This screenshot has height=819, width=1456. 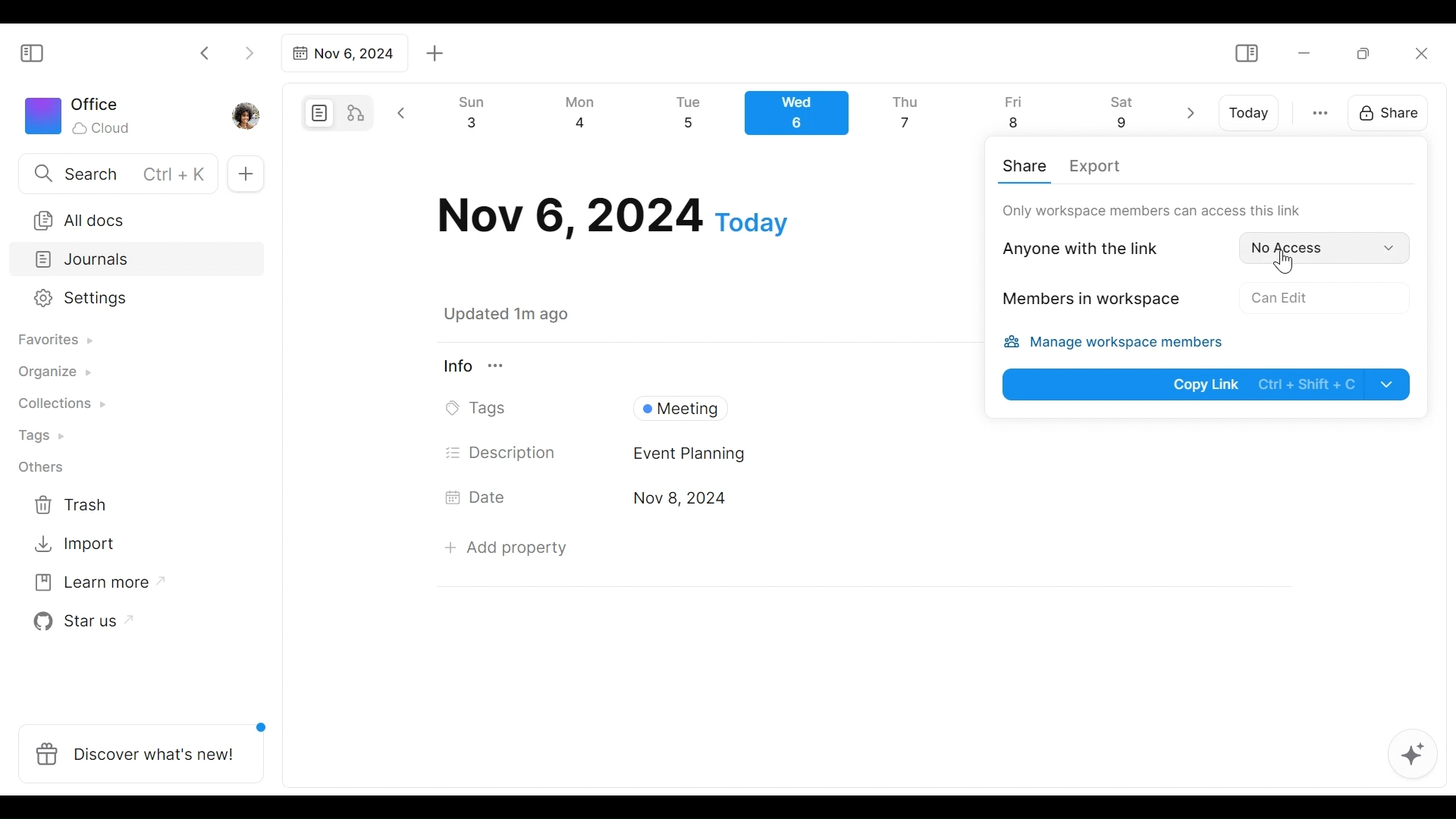 What do you see at coordinates (1304, 52) in the screenshot?
I see `Minimize` at bounding box center [1304, 52].